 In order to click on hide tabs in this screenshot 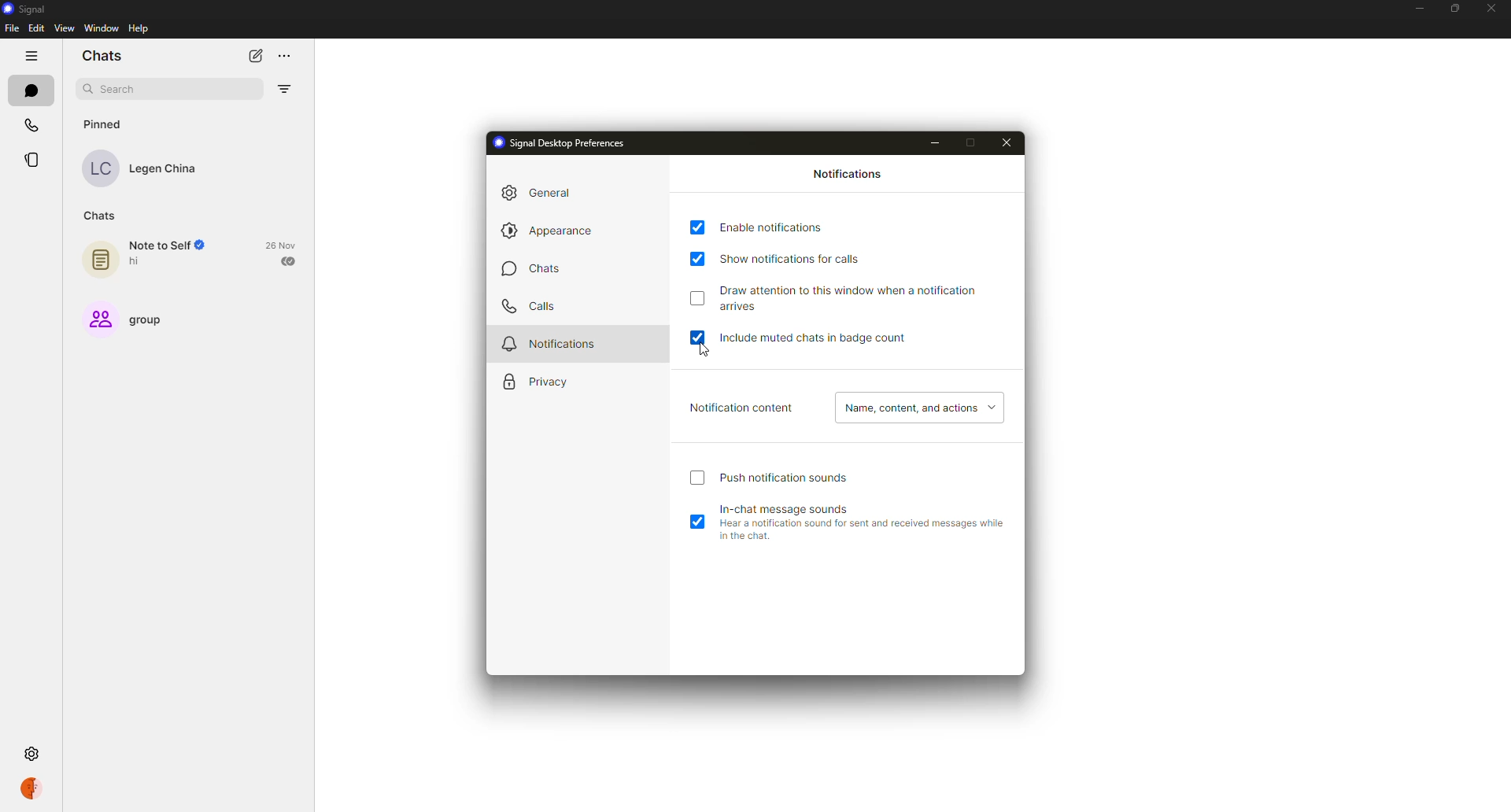, I will do `click(31, 56)`.